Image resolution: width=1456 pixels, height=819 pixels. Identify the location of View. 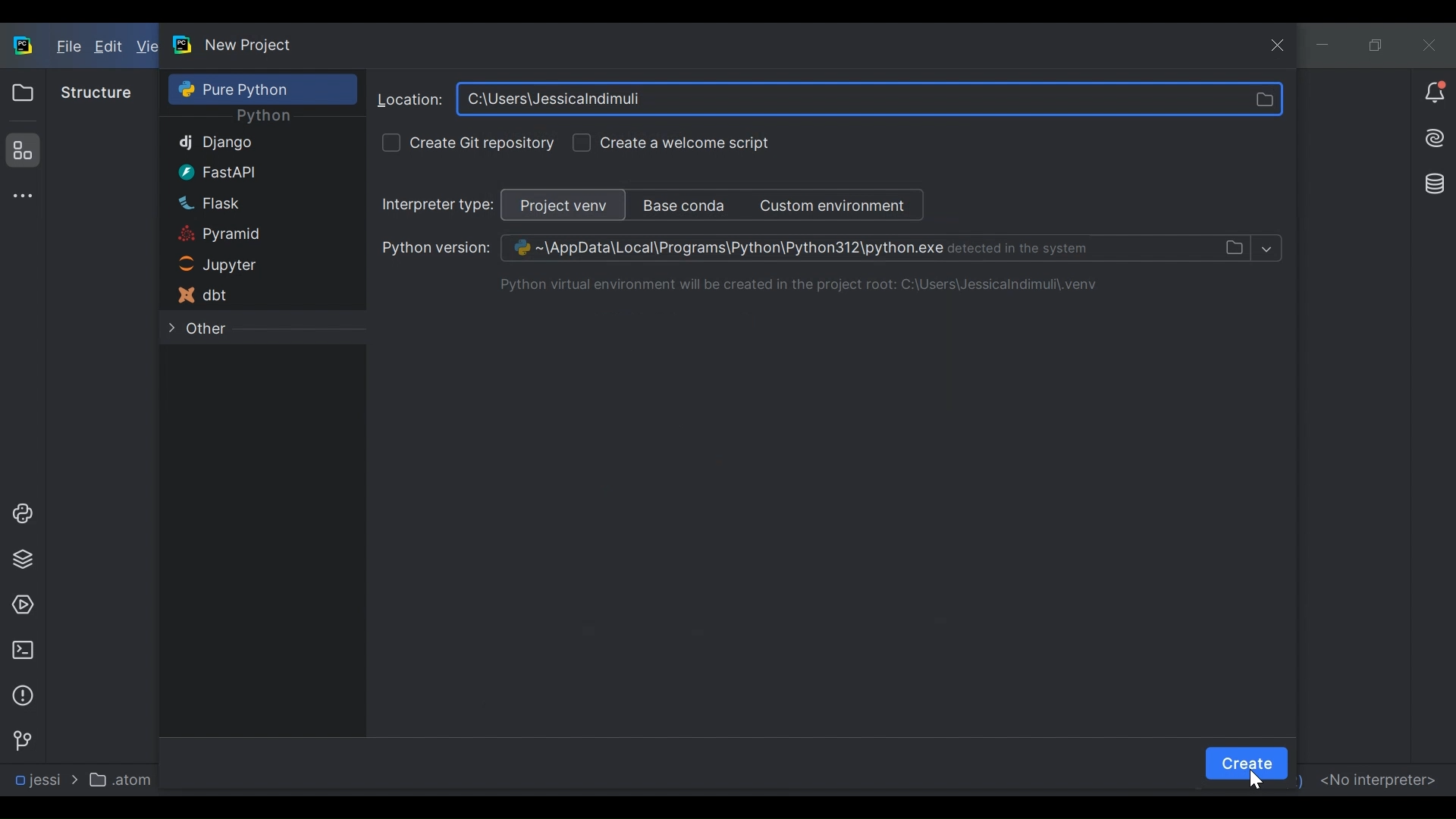
(146, 47).